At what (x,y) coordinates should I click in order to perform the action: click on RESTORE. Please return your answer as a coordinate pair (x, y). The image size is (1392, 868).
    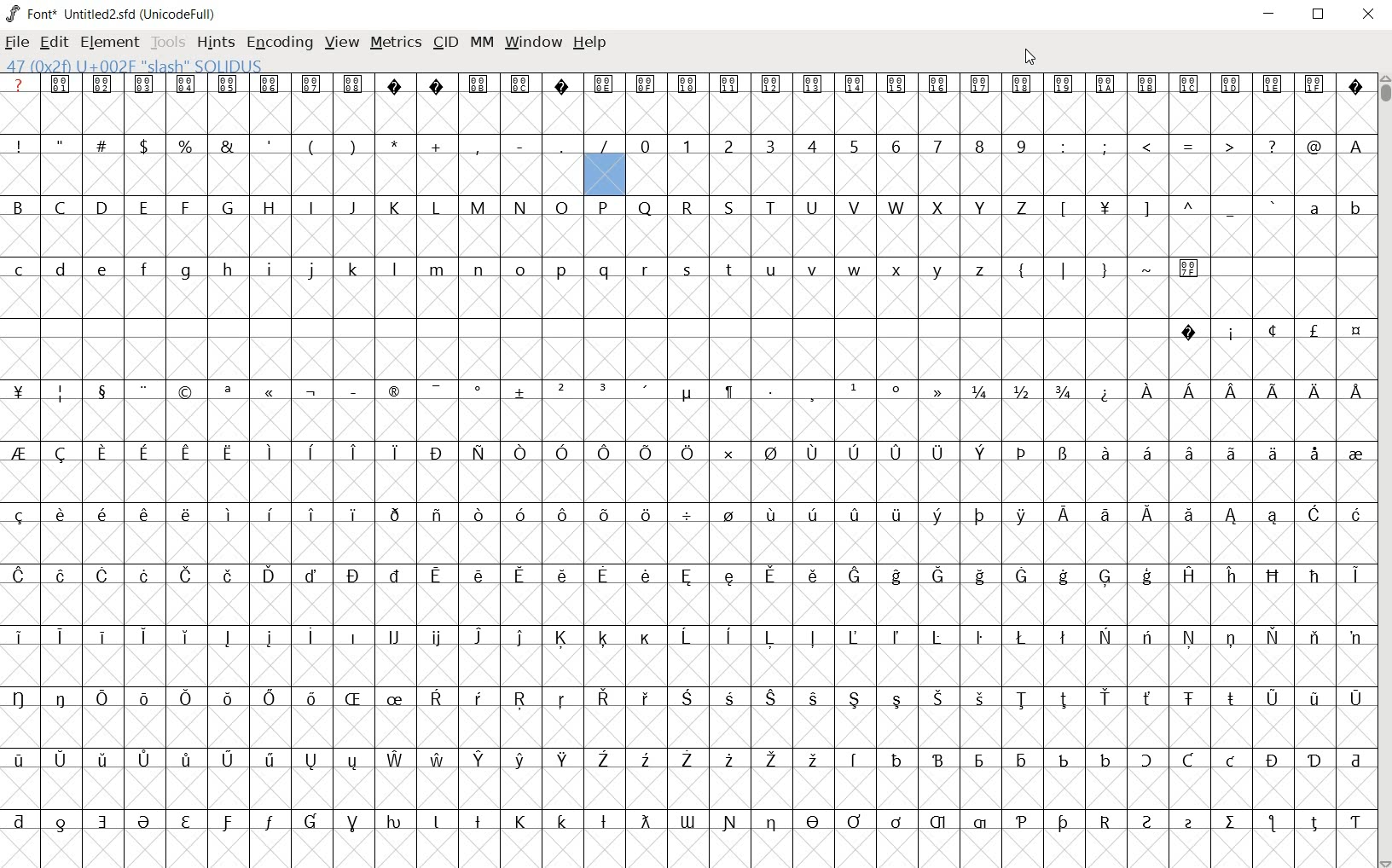
    Looking at the image, I should click on (1316, 14).